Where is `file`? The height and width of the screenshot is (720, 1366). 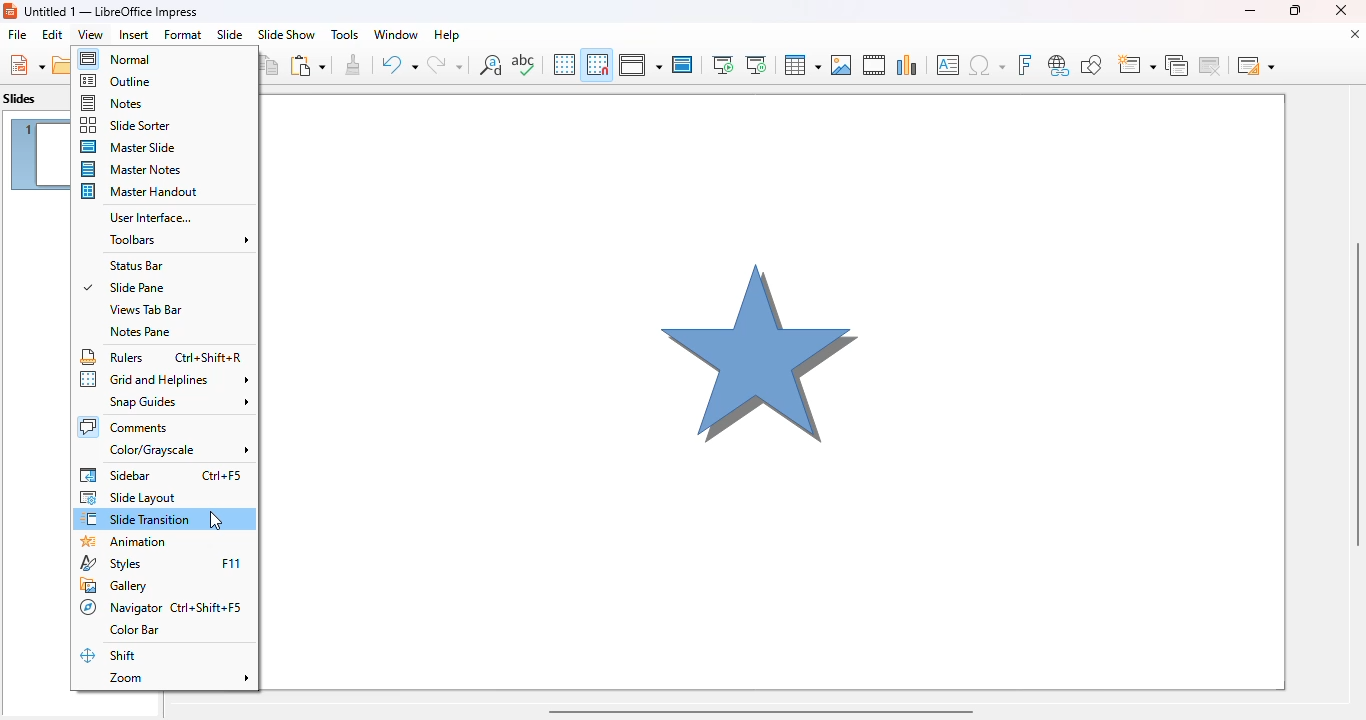
file is located at coordinates (18, 34).